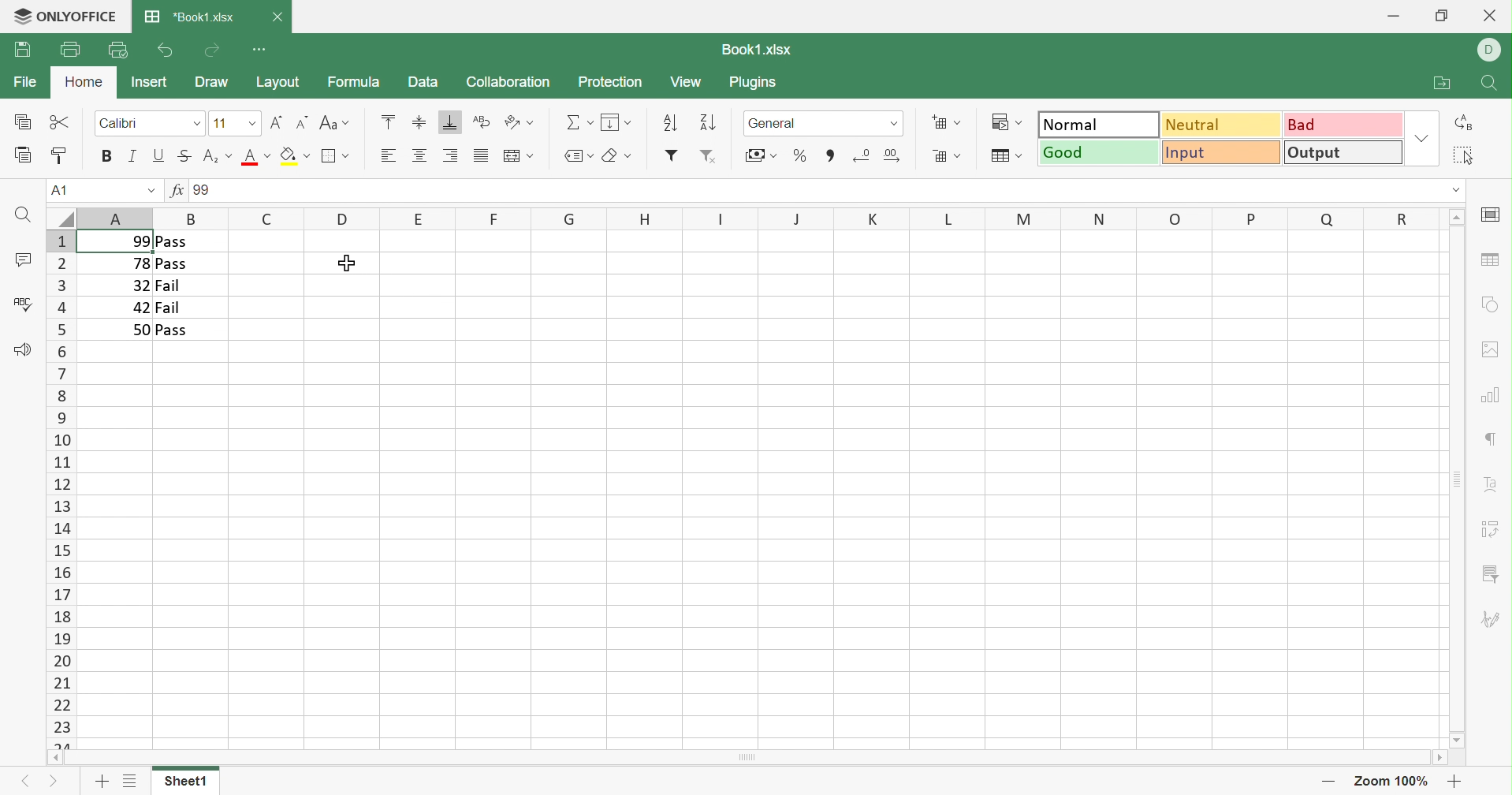 Image resolution: width=1512 pixels, height=795 pixels. What do you see at coordinates (108, 156) in the screenshot?
I see `Bold` at bounding box center [108, 156].